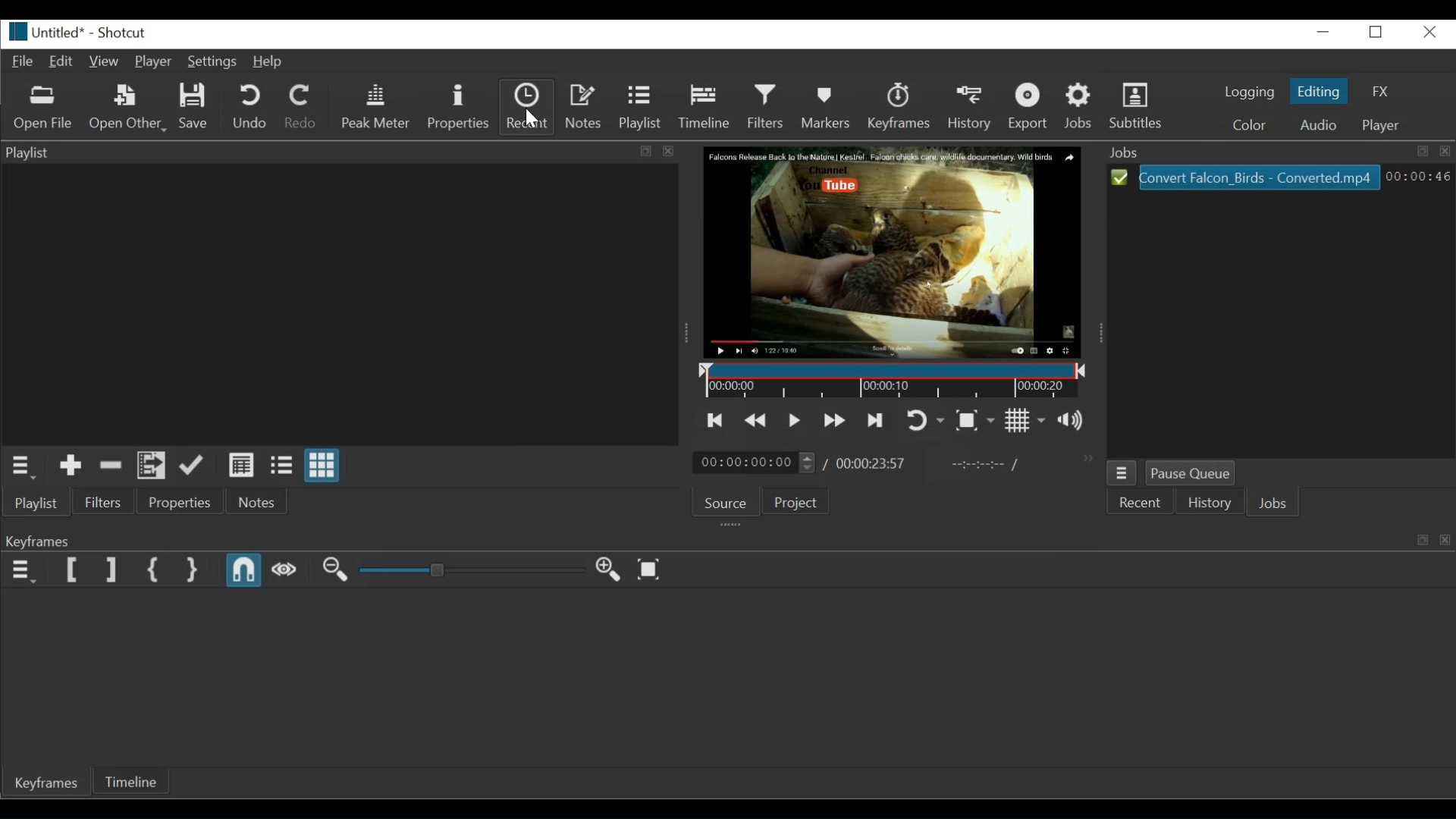 The height and width of the screenshot is (819, 1456). What do you see at coordinates (22, 571) in the screenshot?
I see `Keyframe menu` at bounding box center [22, 571].